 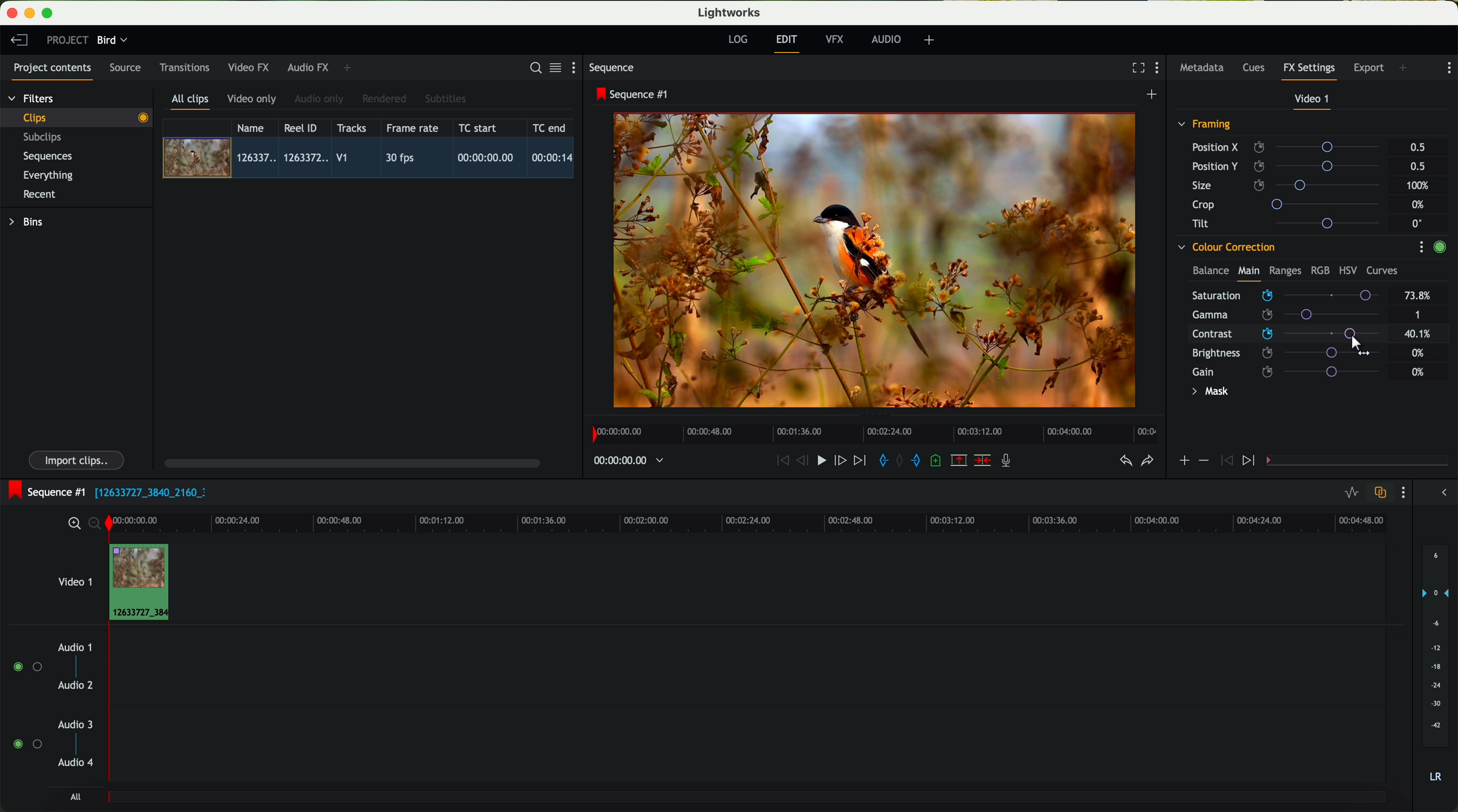 What do you see at coordinates (1290, 204) in the screenshot?
I see `crop` at bounding box center [1290, 204].